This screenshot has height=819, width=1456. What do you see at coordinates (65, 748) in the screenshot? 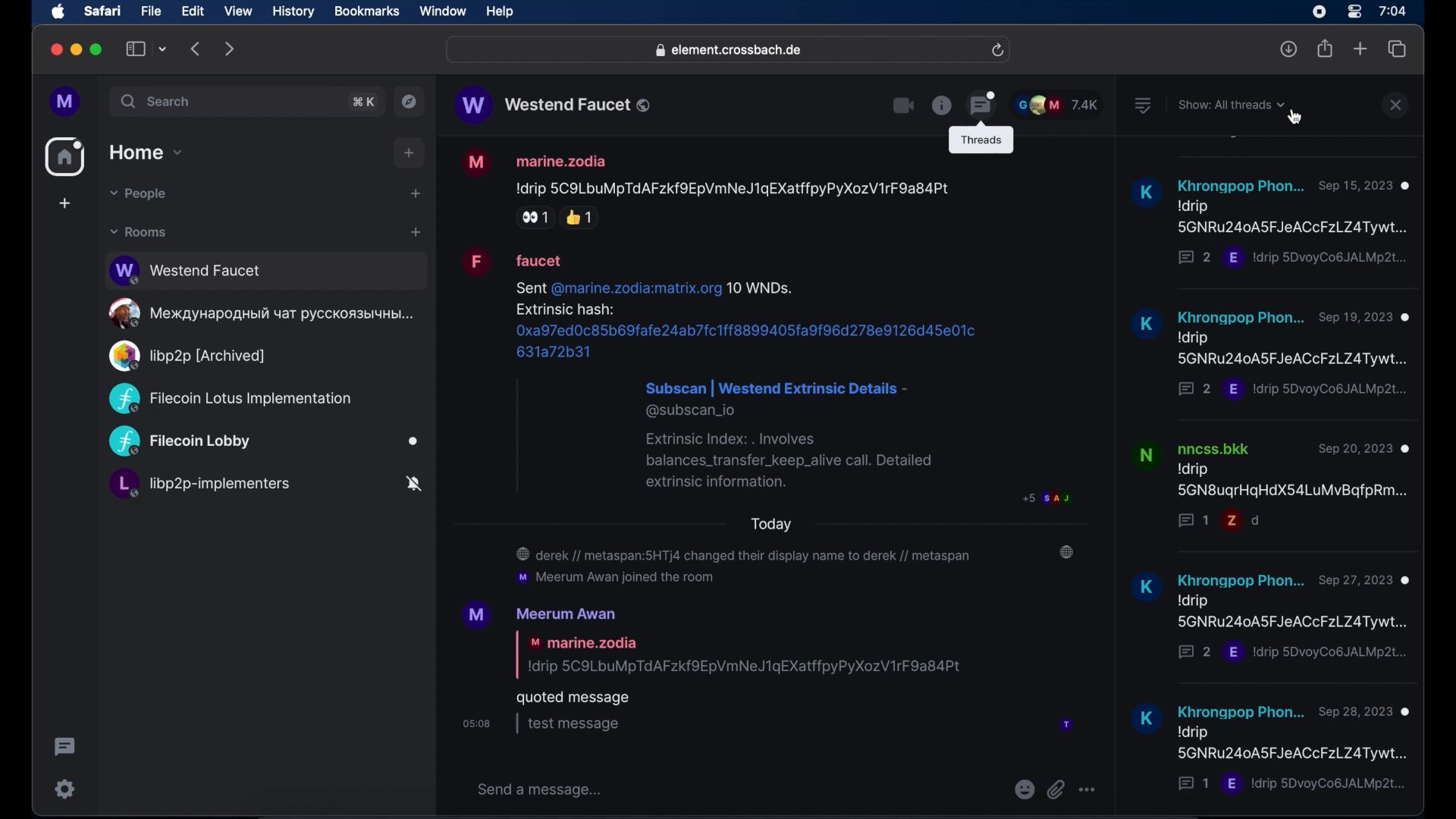
I see `threading activity` at bounding box center [65, 748].